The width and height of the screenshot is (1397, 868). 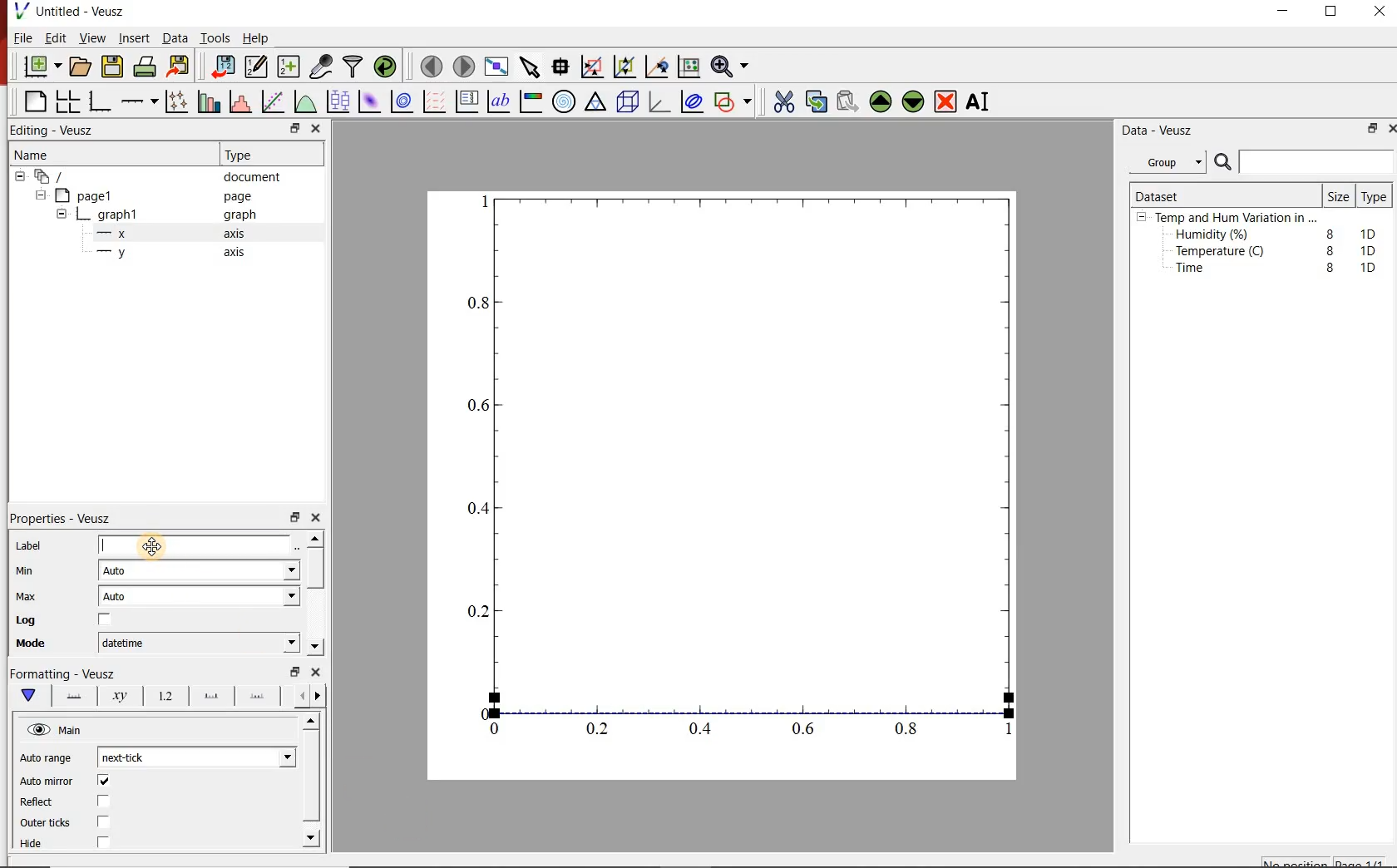 What do you see at coordinates (126, 256) in the screenshot?
I see `y` at bounding box center [126, 256].